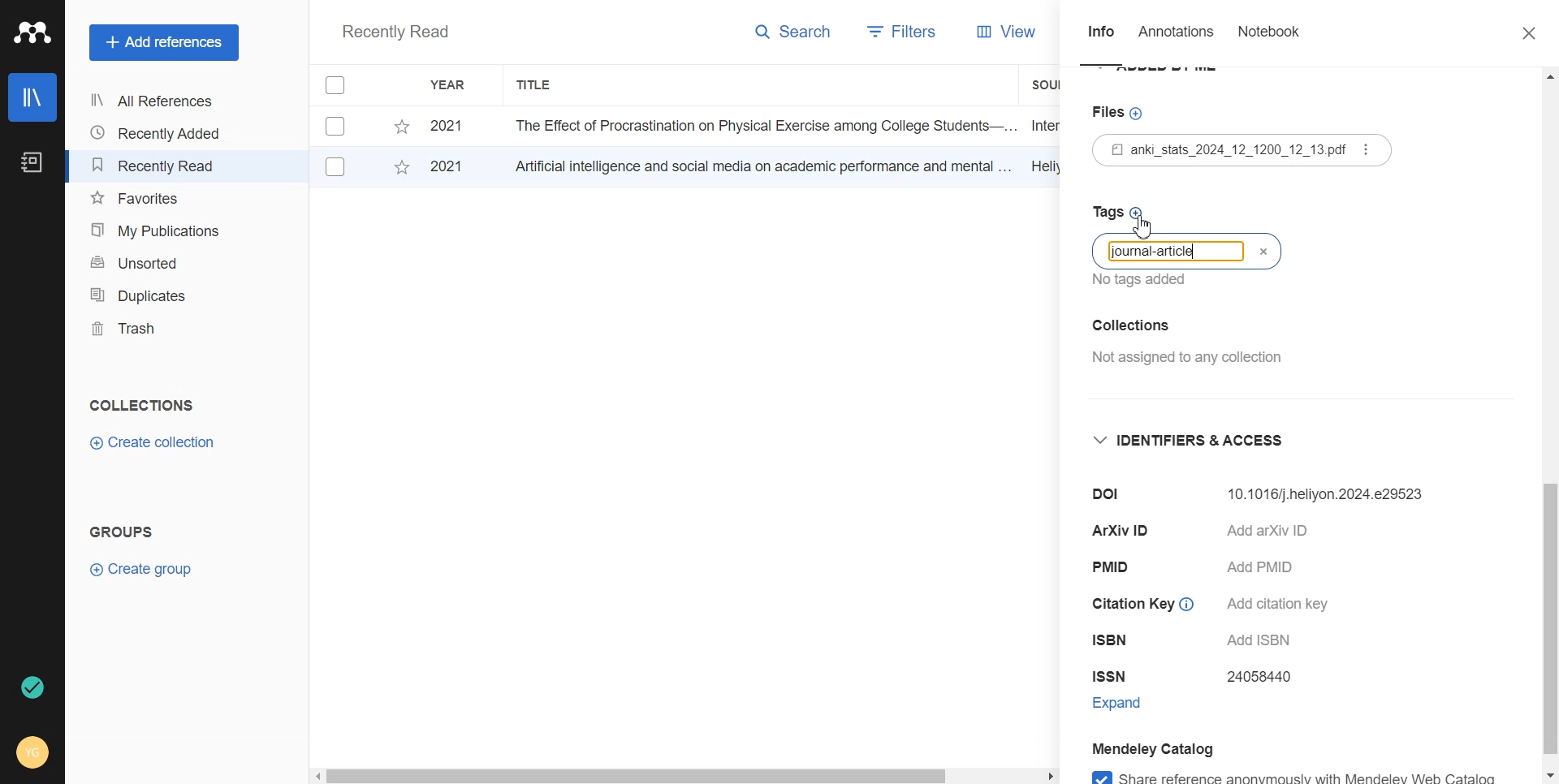 The height and width of the screenshot is (784, 1559). Describe the element at coordinates (1311, 774) in the screenshot. I see `Share reference anonymously with mendeley web catlog` at that location.